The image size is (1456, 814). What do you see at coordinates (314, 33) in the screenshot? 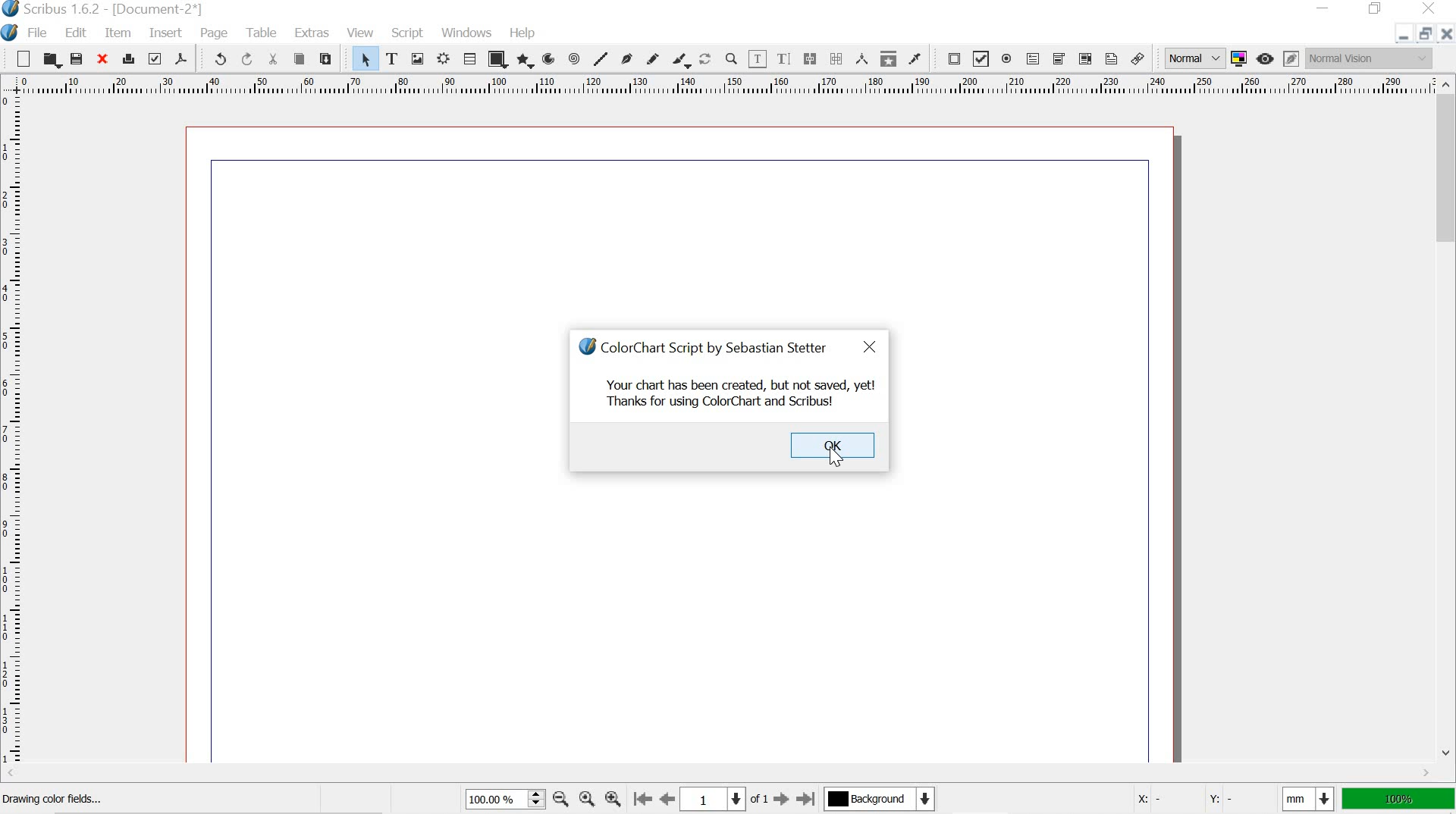
I see `extras` at bounding box center [314, 33].